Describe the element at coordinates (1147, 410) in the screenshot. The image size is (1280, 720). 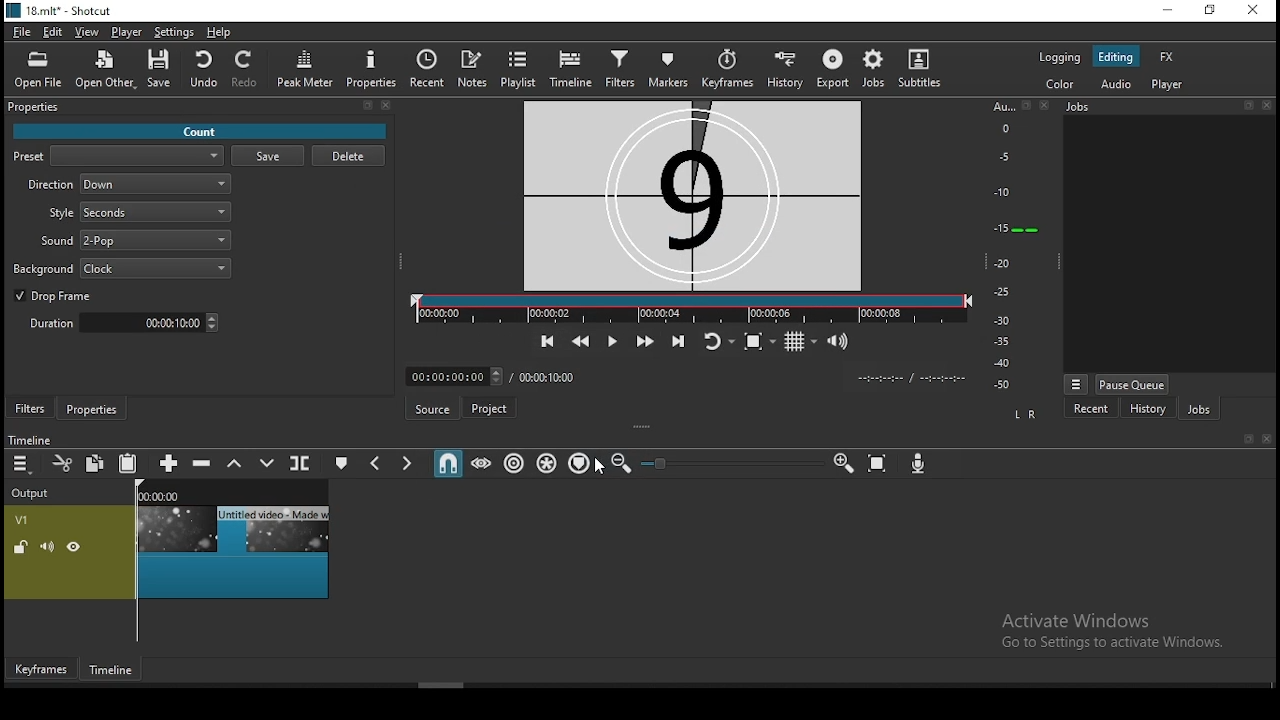
I see `history` at that location.